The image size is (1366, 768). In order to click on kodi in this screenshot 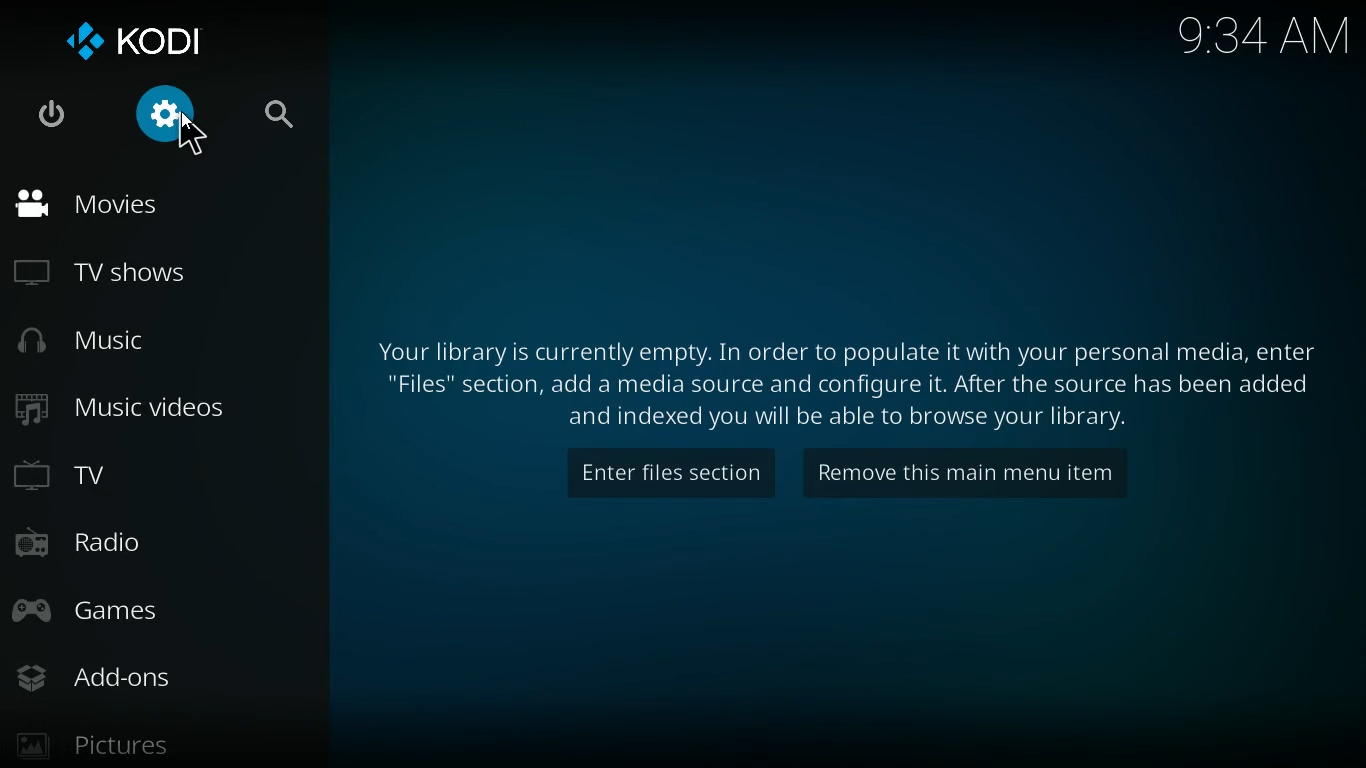, I will do `click(1259, 38)`.